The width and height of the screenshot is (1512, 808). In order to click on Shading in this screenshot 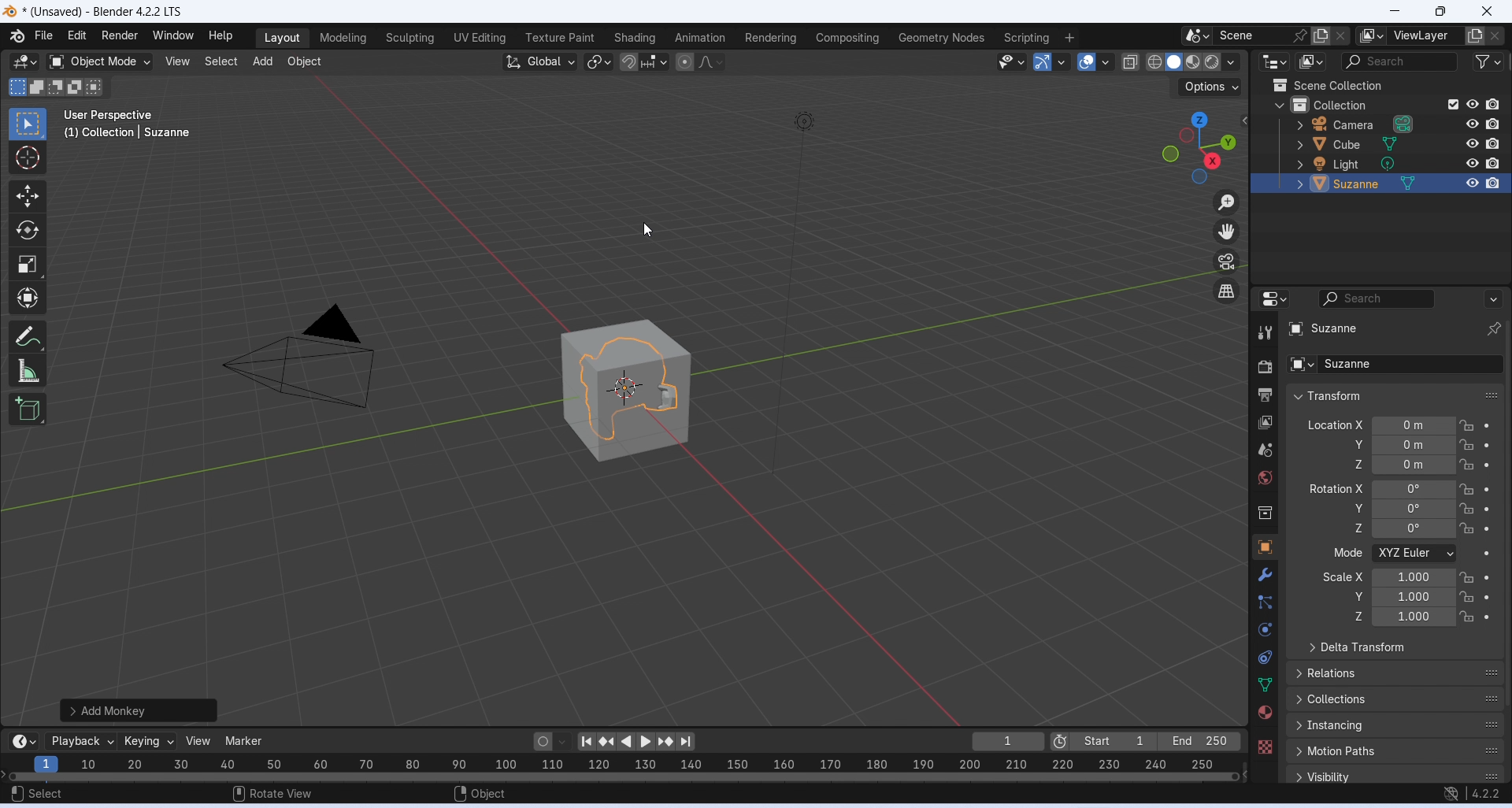, I will do `click(633, 38)`.